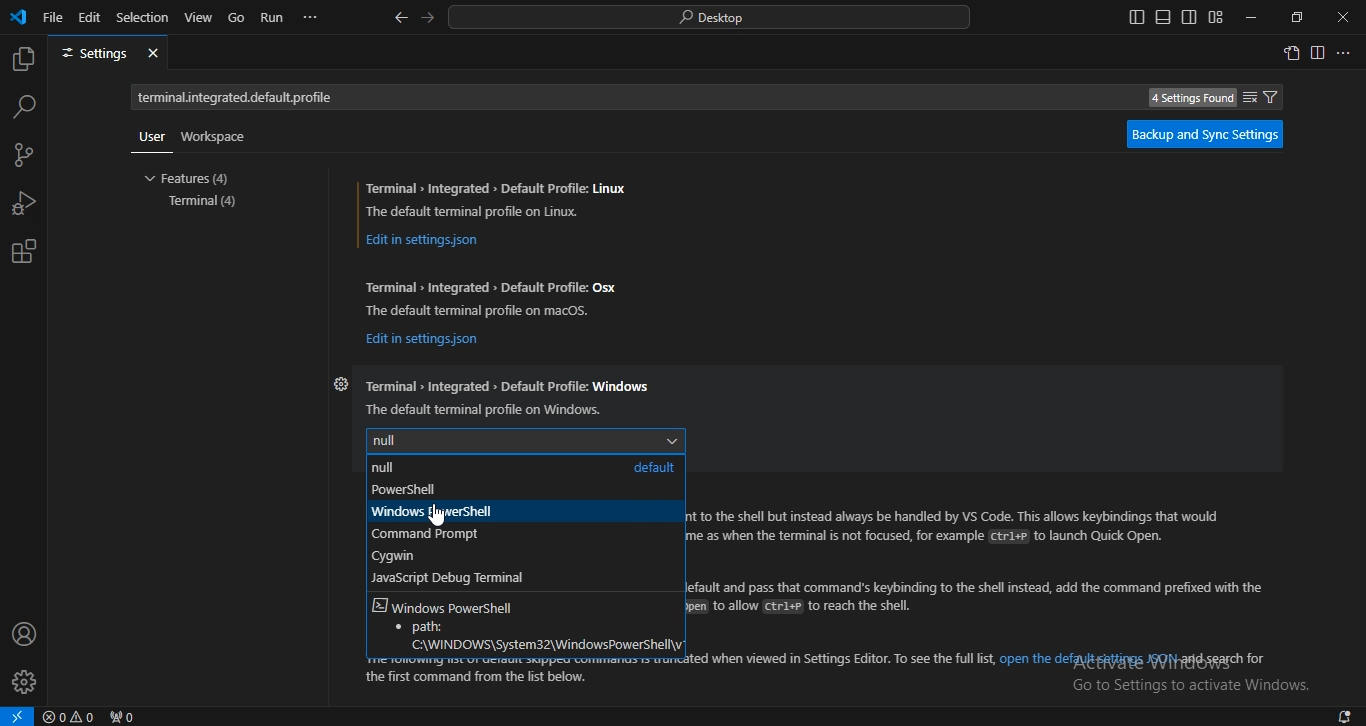 The width and height of the screenshot is (1366, 726). I want to click on settings, so click(108, 53).